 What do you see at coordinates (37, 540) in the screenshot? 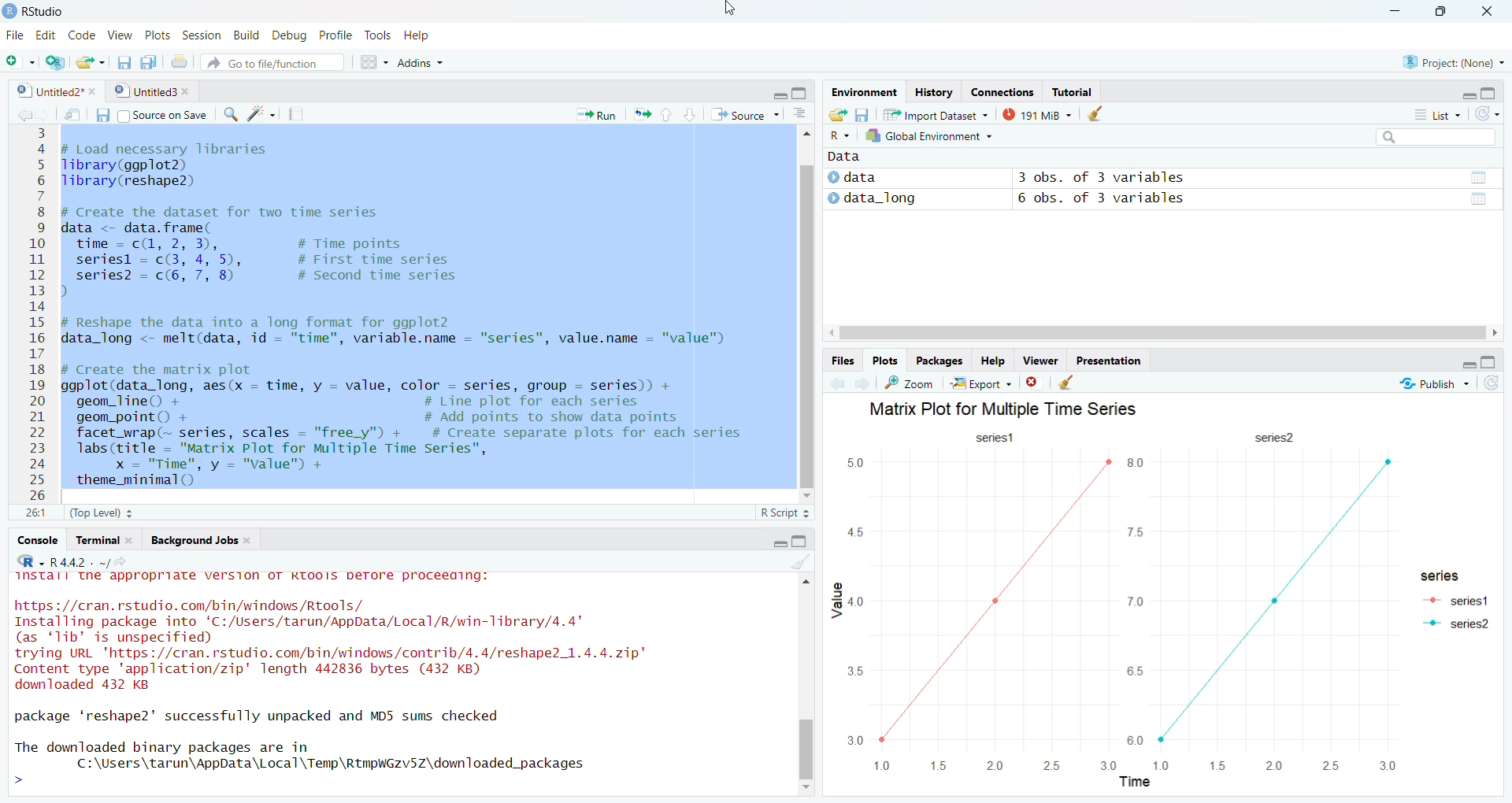
I see `Console` at bounding box center [37, 540].